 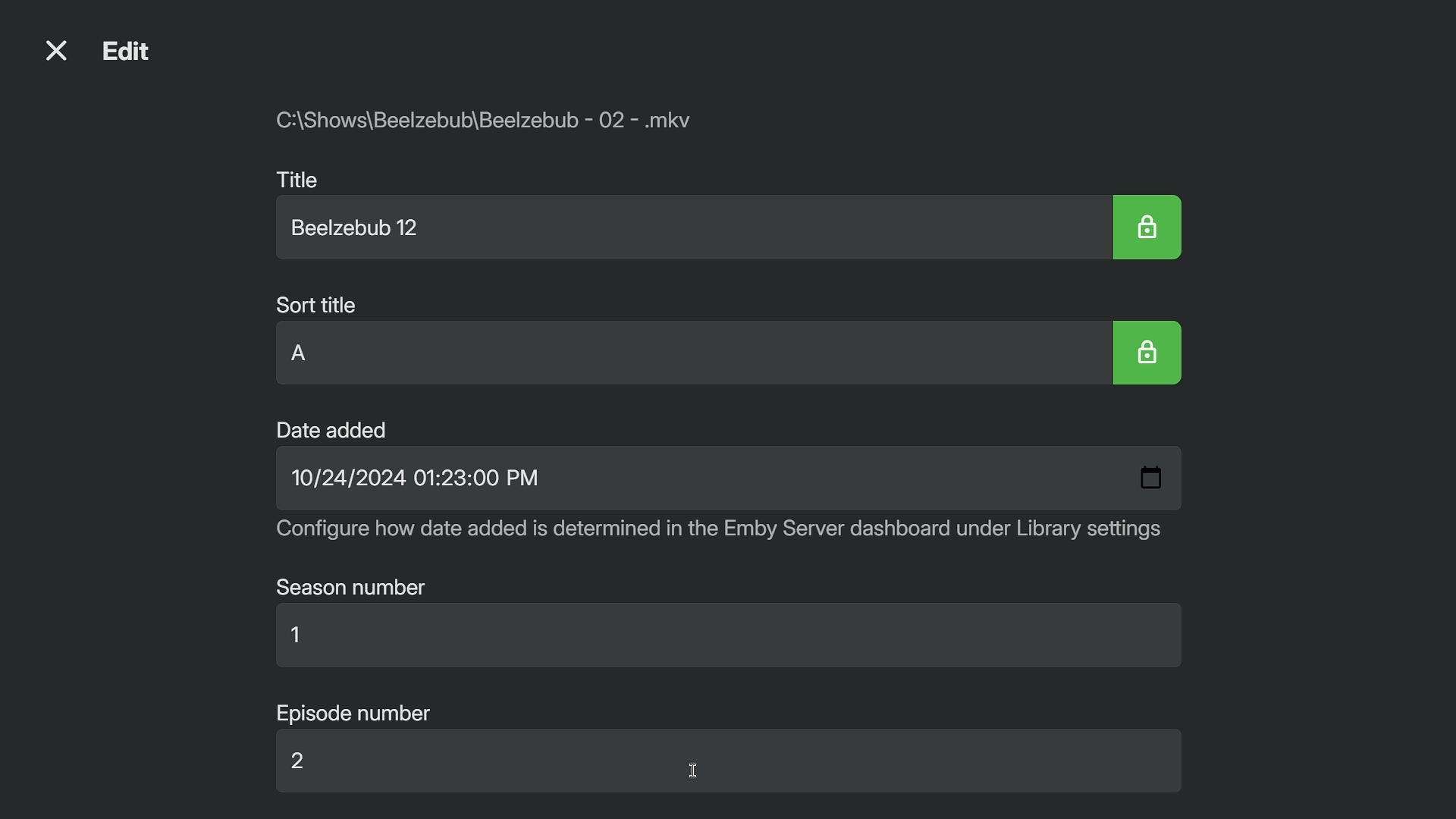 What do you see at coordinates (719, 535) in the screenshot?
I see `Configure how date added is determined` at bounding box center [719, 535].